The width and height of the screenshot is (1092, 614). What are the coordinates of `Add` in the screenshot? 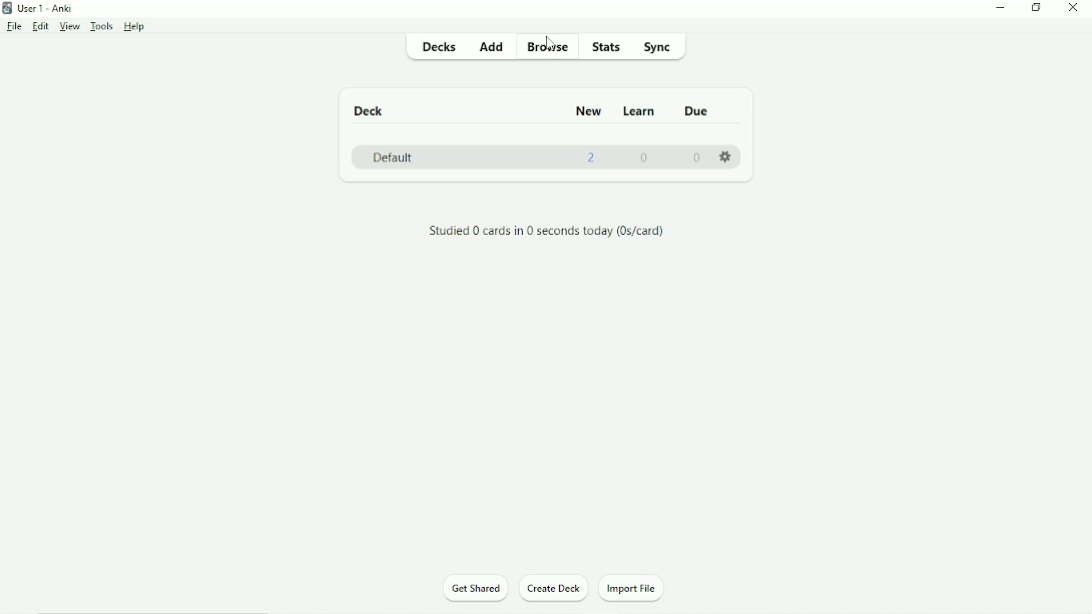 It's located at (496, 47).